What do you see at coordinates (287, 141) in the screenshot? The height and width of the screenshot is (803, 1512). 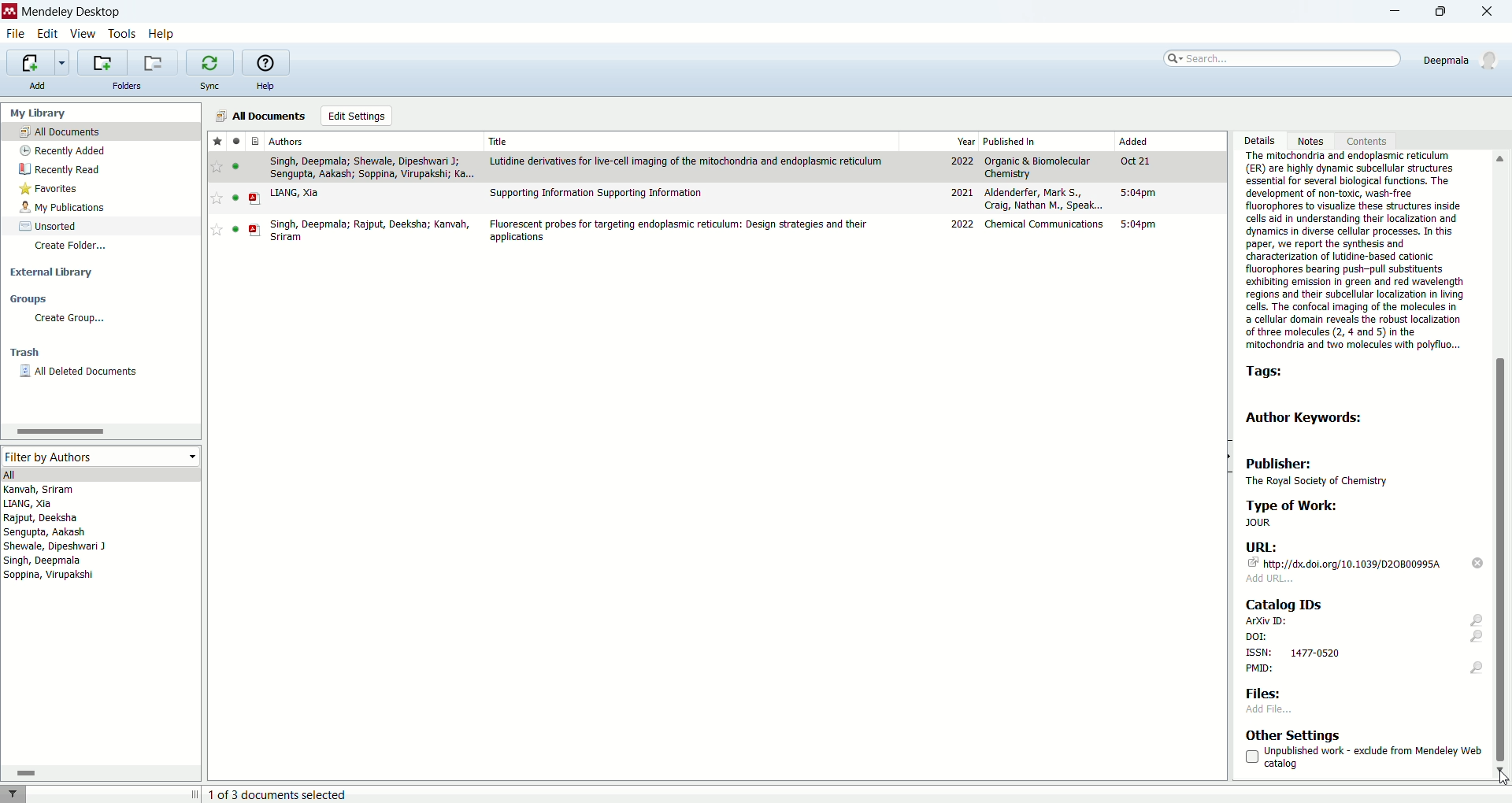 I see `authors` at bounding box center [287, 141].